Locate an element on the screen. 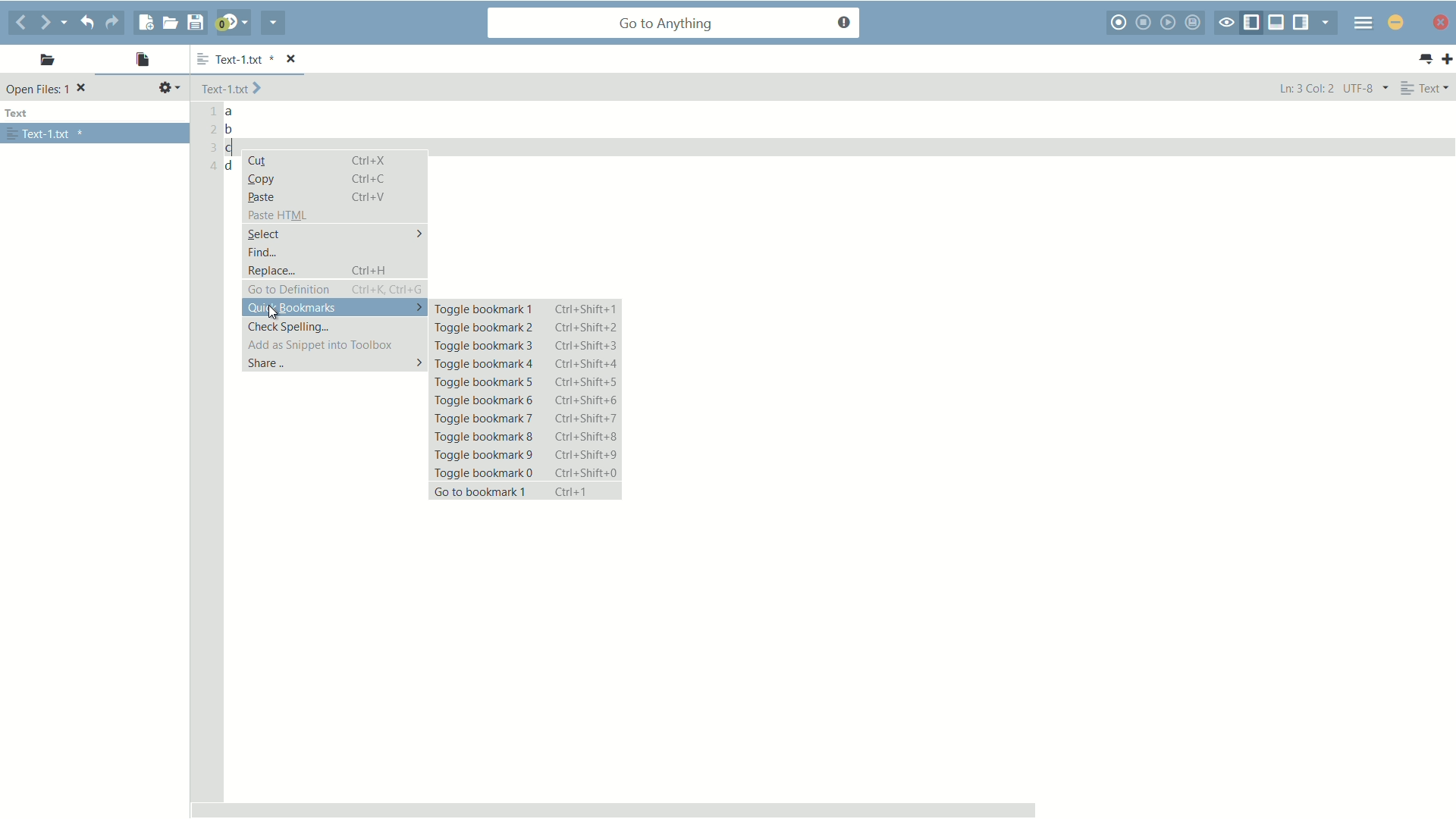 The width and height of the screenshot is (1456, 819). Text-1.txt > is located at coordinates (234, 89).